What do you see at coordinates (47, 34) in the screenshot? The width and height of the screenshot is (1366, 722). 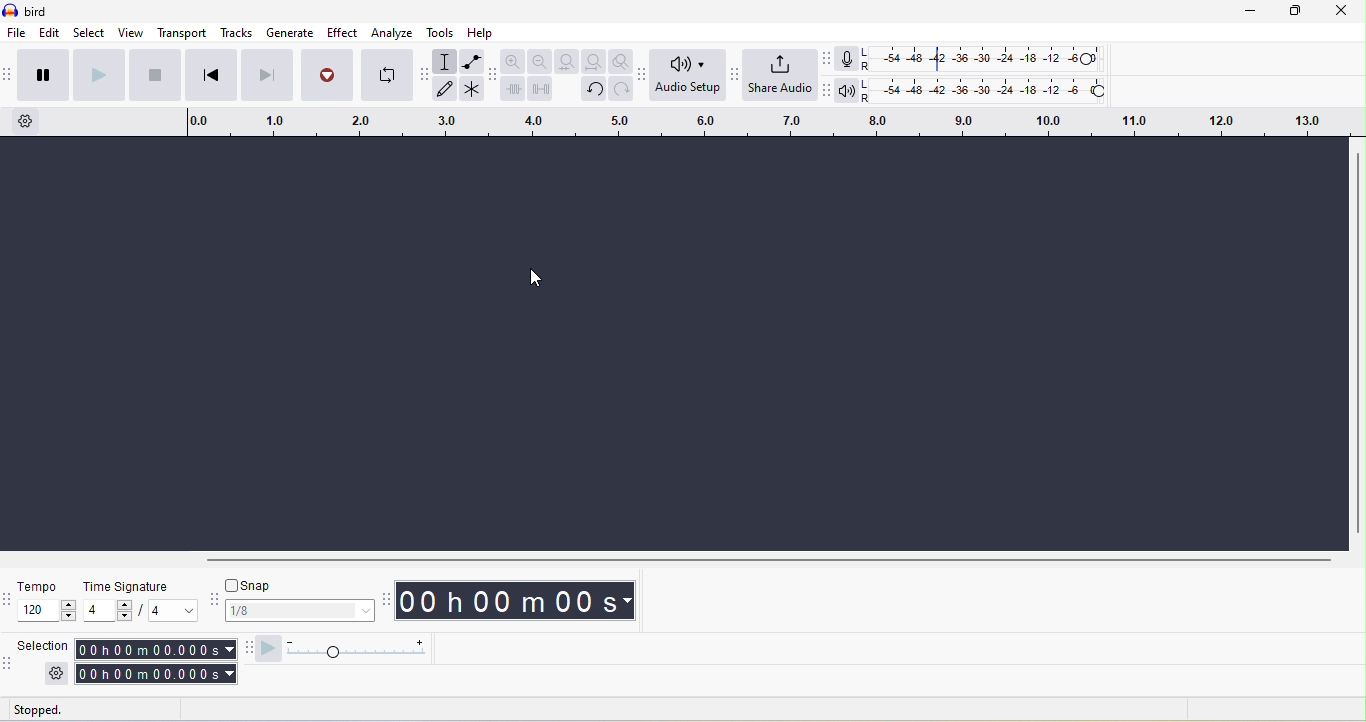 I see `edit` at bounding box center [47, 34].